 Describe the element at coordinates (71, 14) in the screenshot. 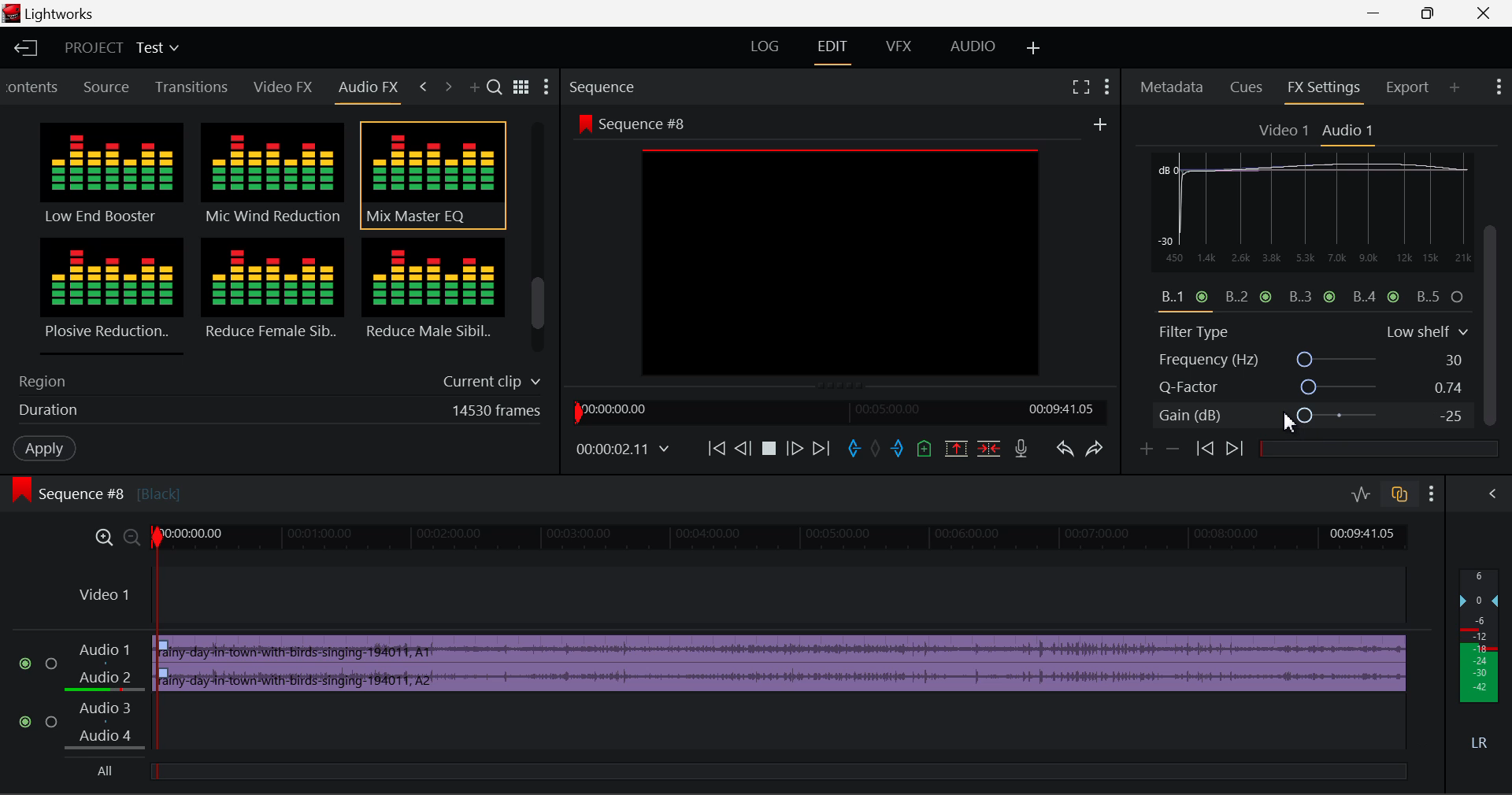

I see `Lightworks` at that location.